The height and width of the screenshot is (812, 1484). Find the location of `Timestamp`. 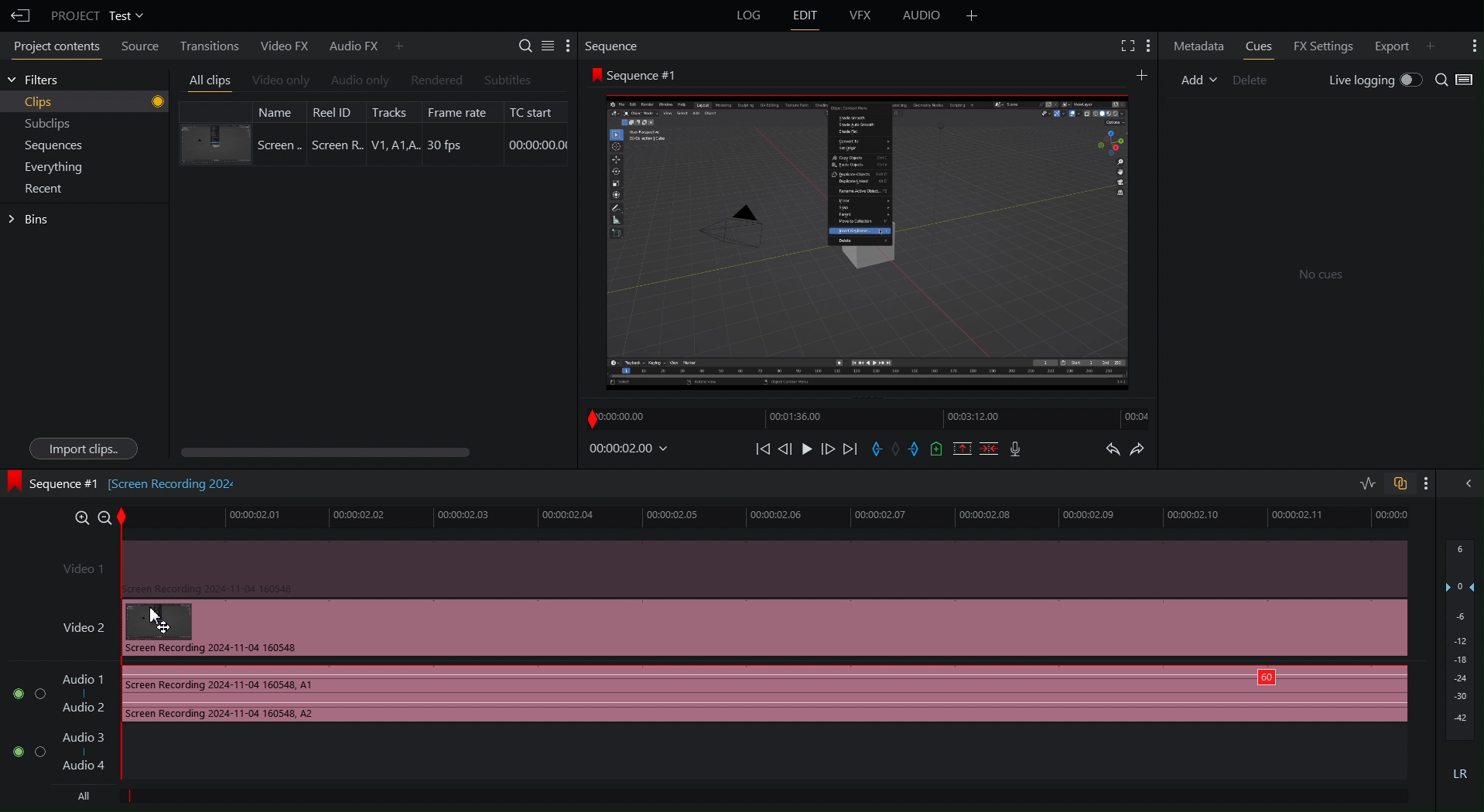

Timestamp is located at coordinates (627, 451).